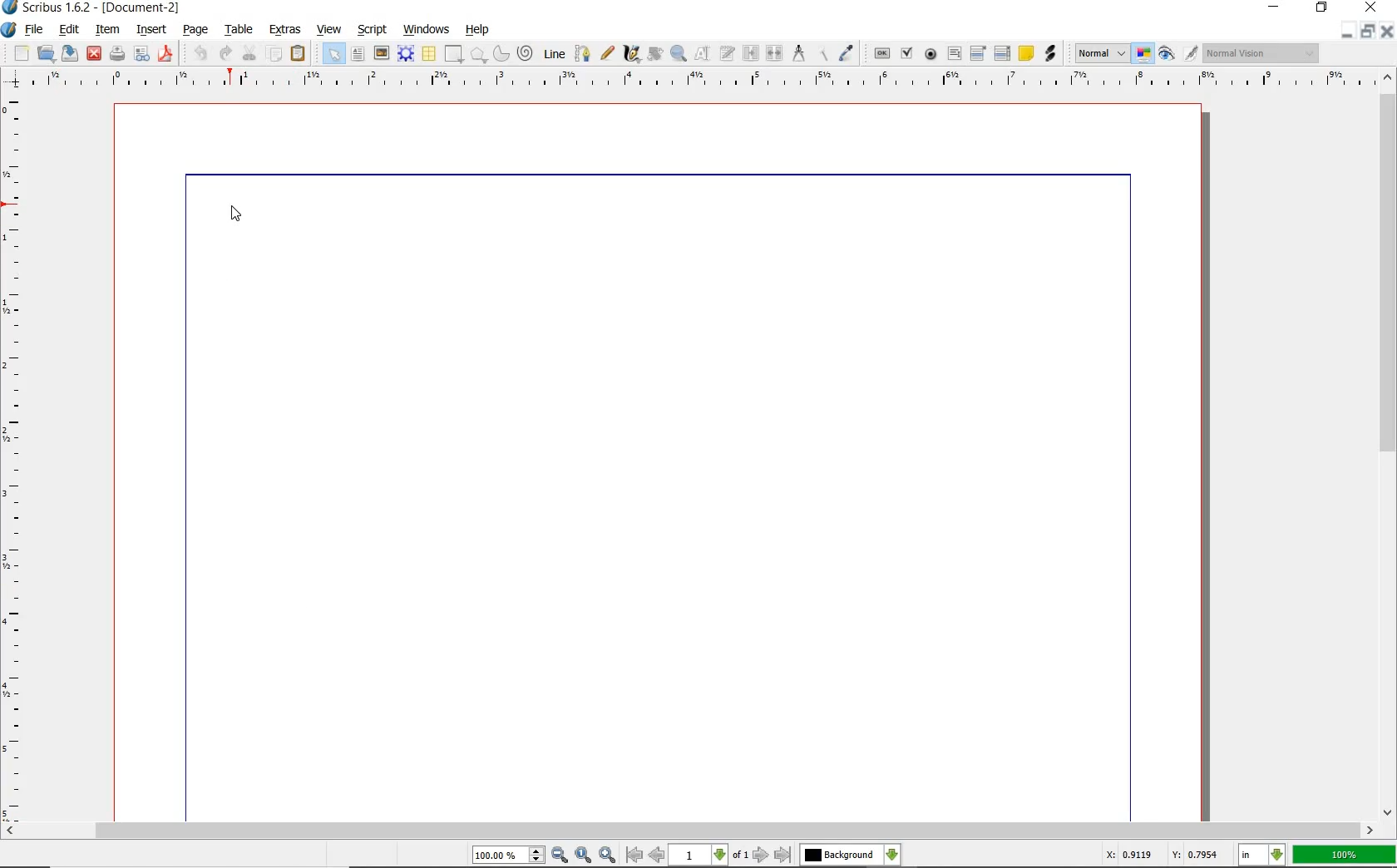 This screenshot has width=1397, height=868. Describe the element at coordinates (1190, 53) in the screenshot. I see `edit in preview mode` at that location.